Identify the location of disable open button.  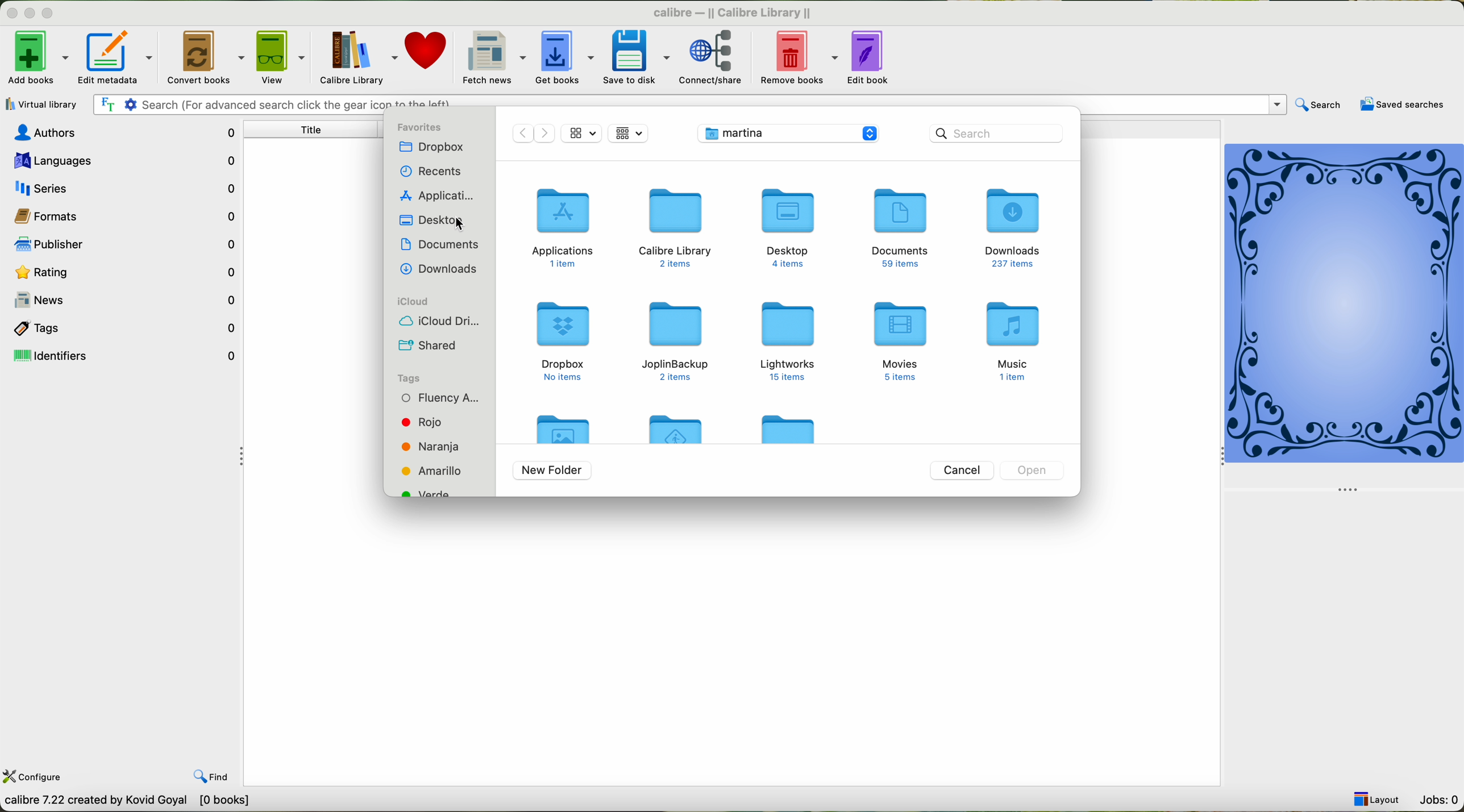
(1038, 470).